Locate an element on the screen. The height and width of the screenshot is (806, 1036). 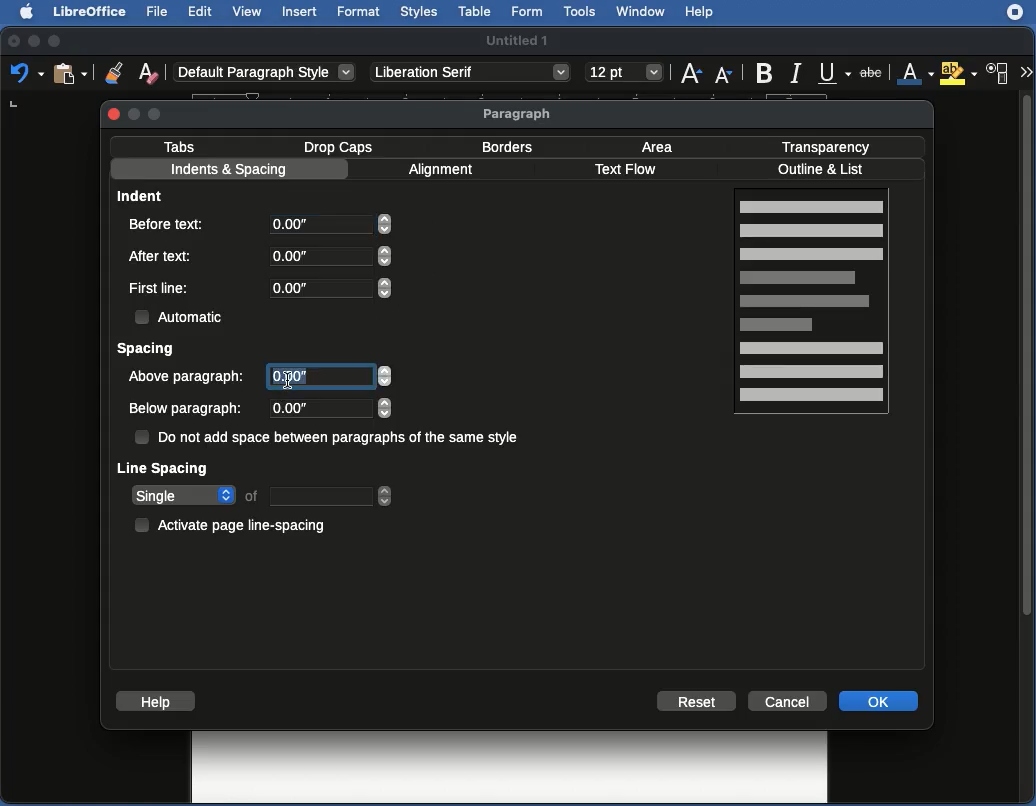
0.00" is located at coordinates (330, 377).